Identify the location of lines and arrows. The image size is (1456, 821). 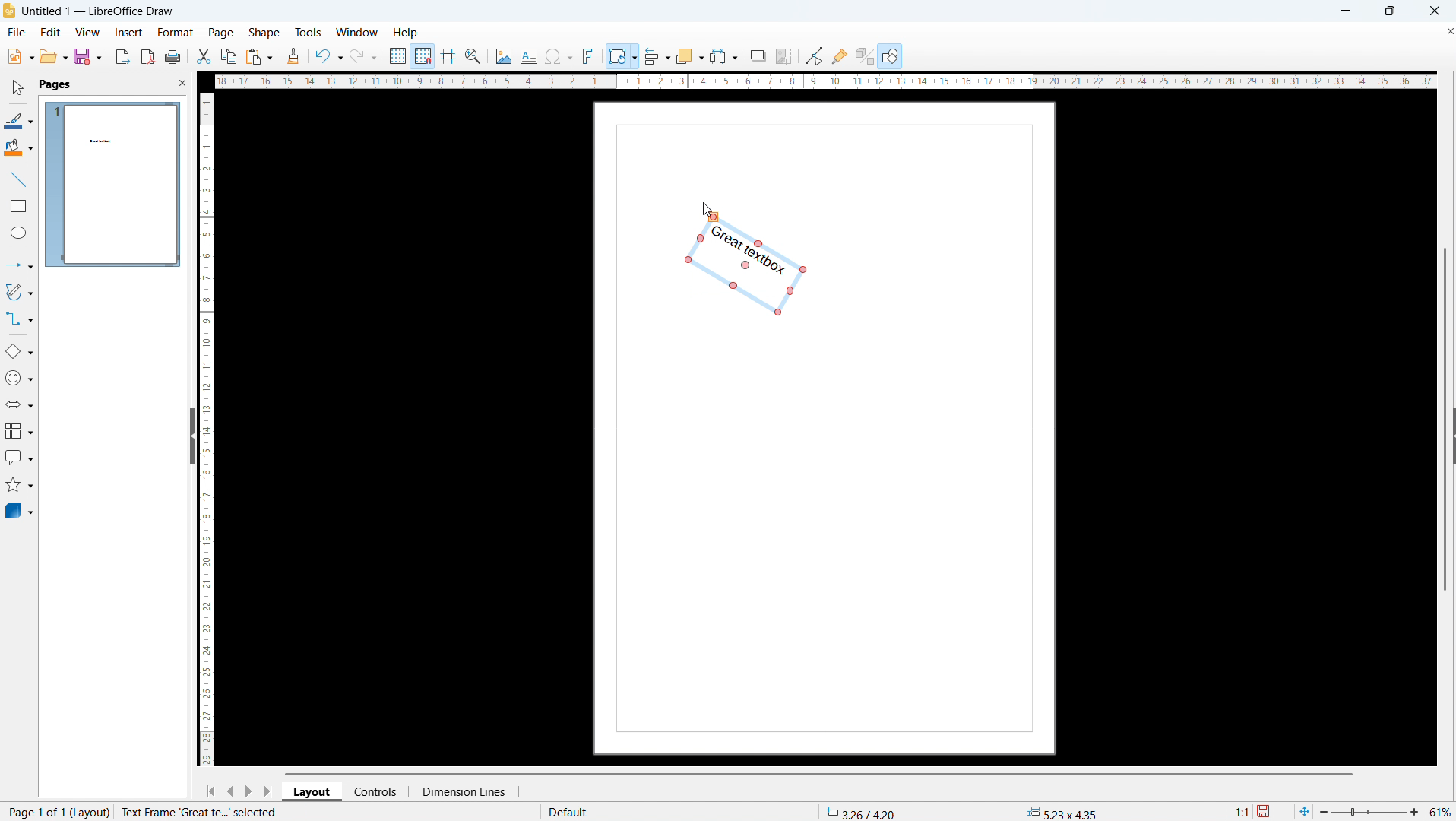
(19, 265).